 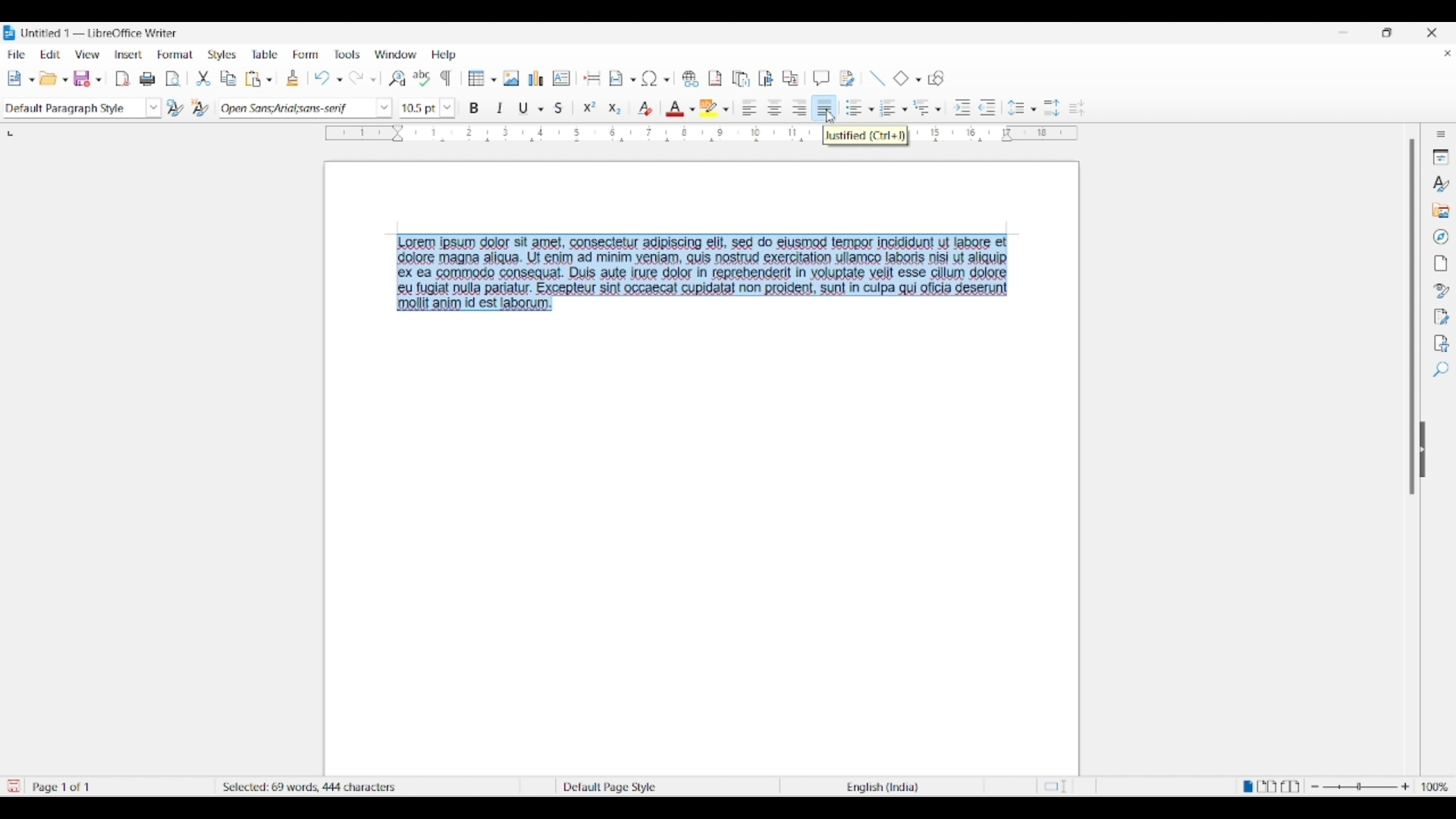 What do you see at coordinates (850, 108) in the screenshot?
I see `Toggle unordered list` at bounding box center [850, 108].